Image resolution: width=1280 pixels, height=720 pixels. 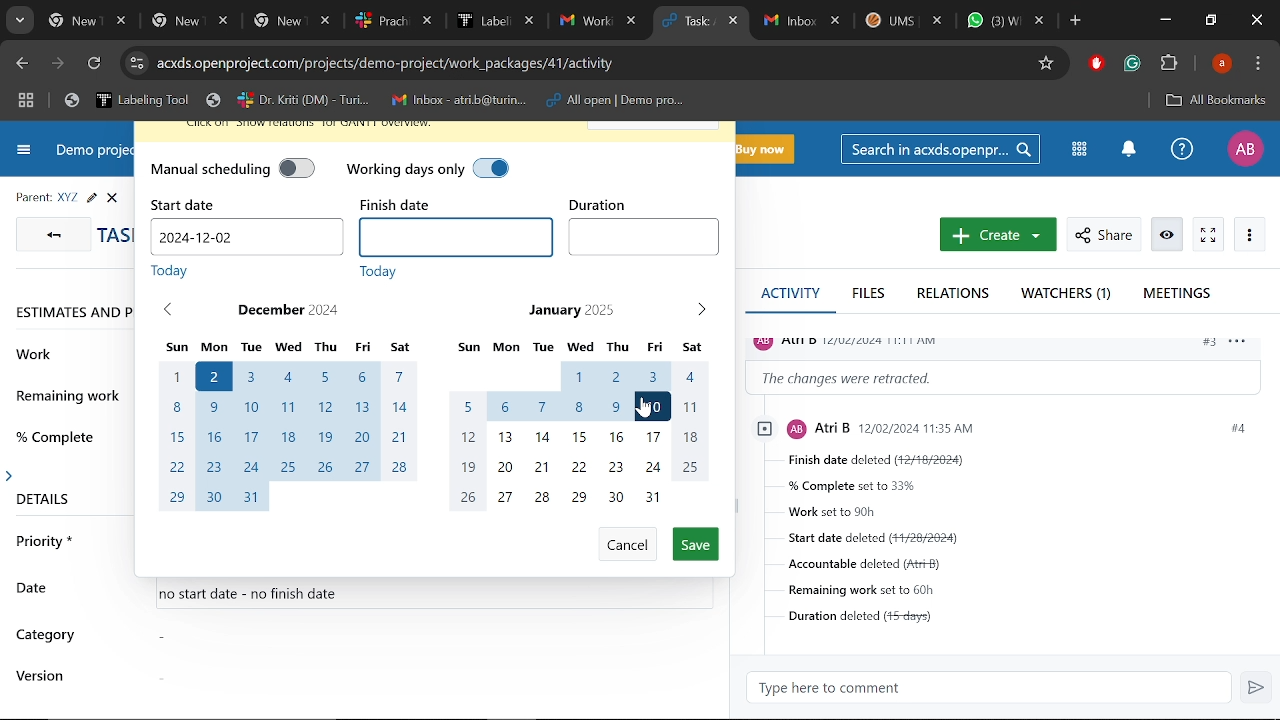 What do you see at coordinates (735, 23) in the screenshot?
I see `Close current tab` at bounding box center [735, 23].